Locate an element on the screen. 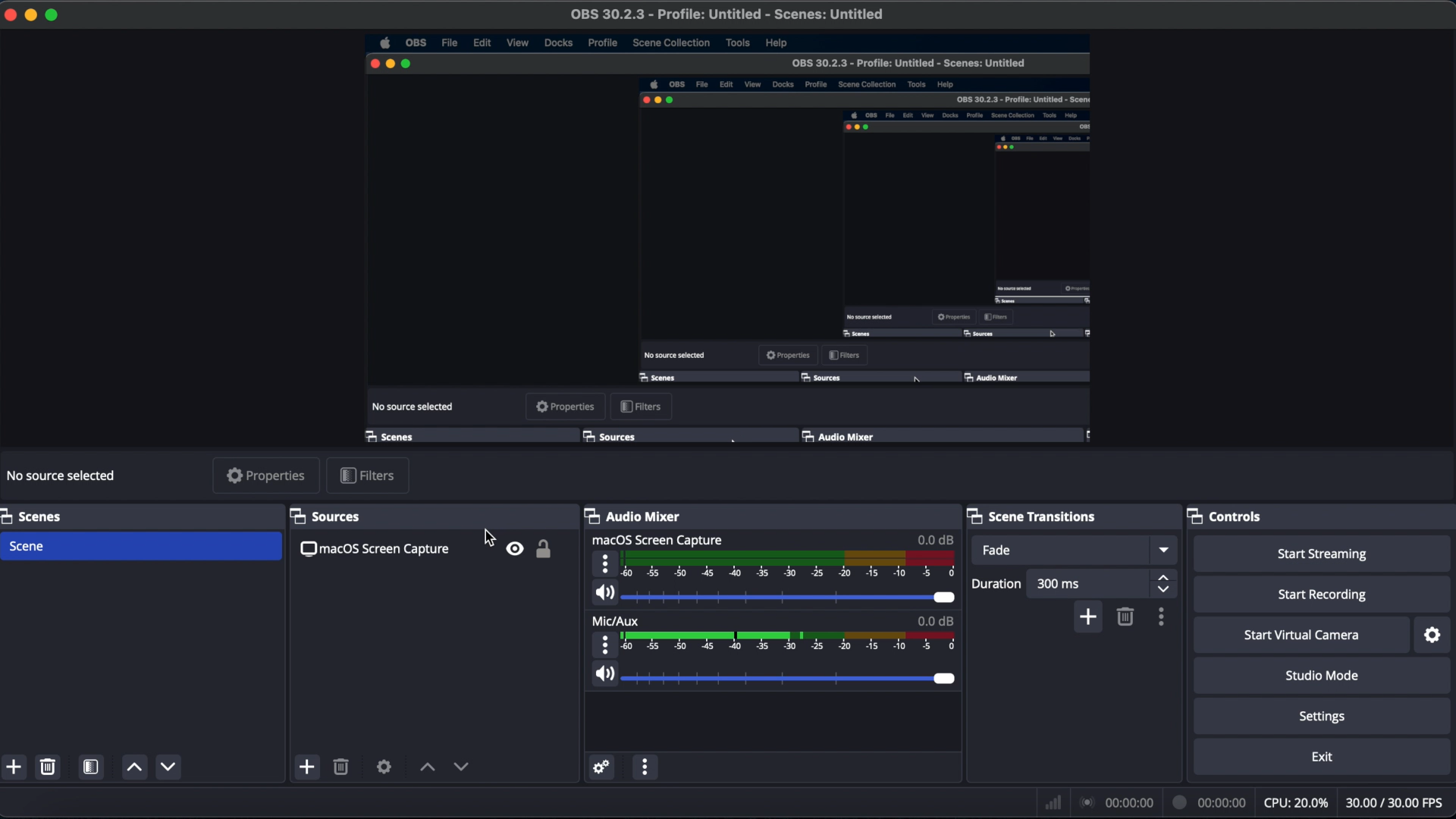  duration is located at coordinates (994, 584).